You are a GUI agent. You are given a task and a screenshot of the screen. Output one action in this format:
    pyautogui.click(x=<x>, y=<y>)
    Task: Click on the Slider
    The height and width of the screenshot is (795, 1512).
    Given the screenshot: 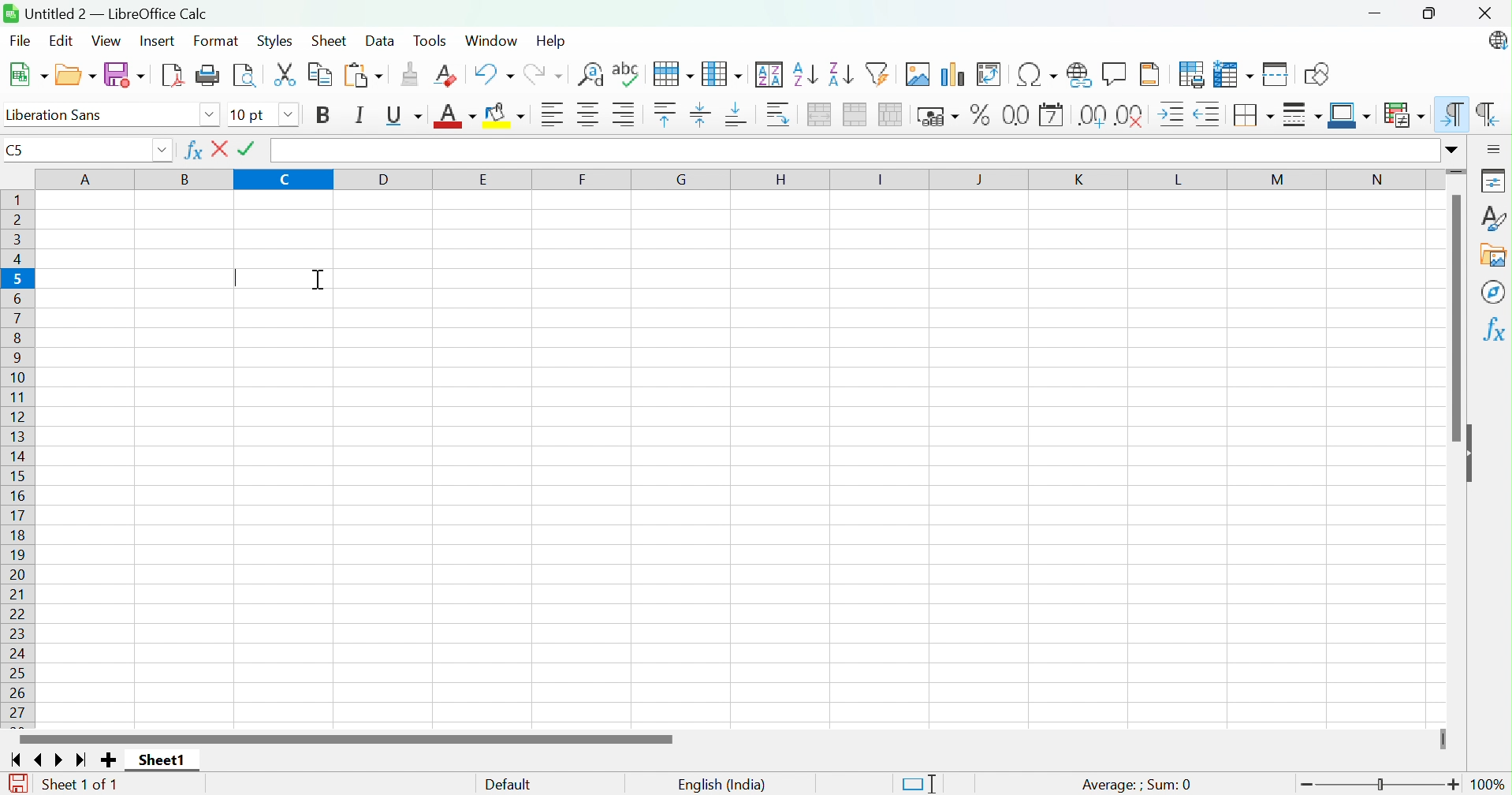 What is the action you would take?
    pyautogui.click(x=1381, y=786)
    